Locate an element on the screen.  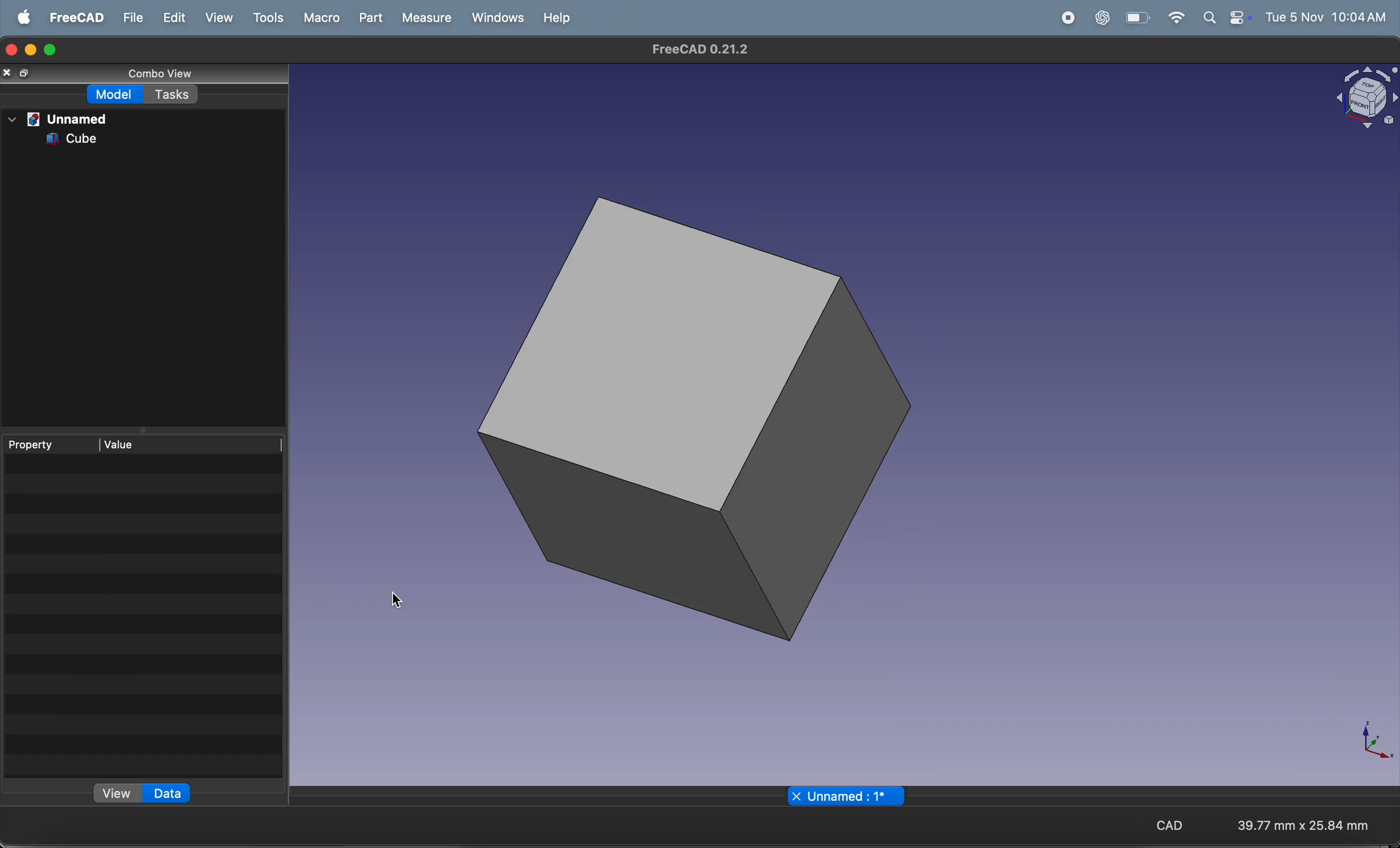
closing is located at coordinates (14, 49).